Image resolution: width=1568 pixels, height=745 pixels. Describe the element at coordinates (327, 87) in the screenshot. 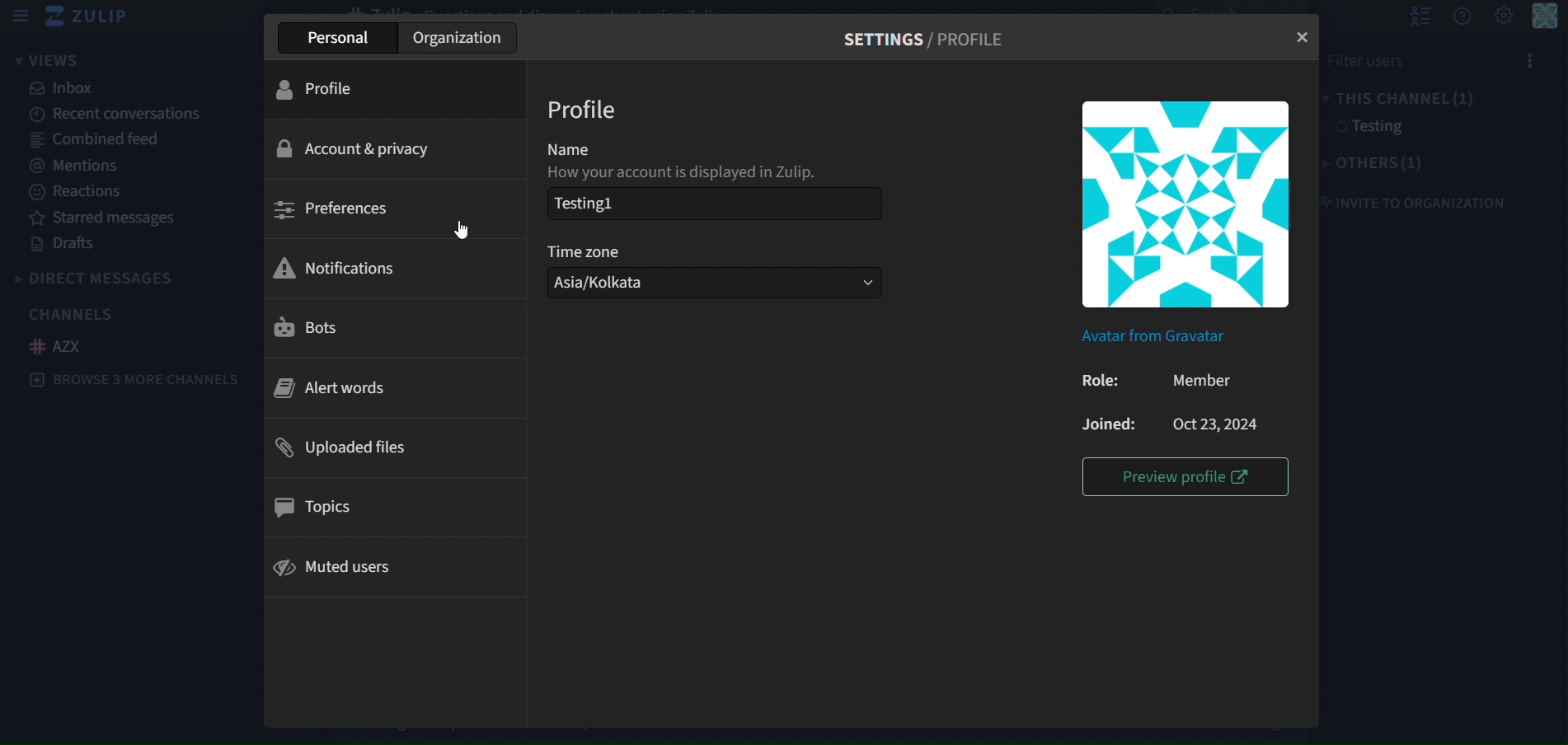

I see `profile` at that location.